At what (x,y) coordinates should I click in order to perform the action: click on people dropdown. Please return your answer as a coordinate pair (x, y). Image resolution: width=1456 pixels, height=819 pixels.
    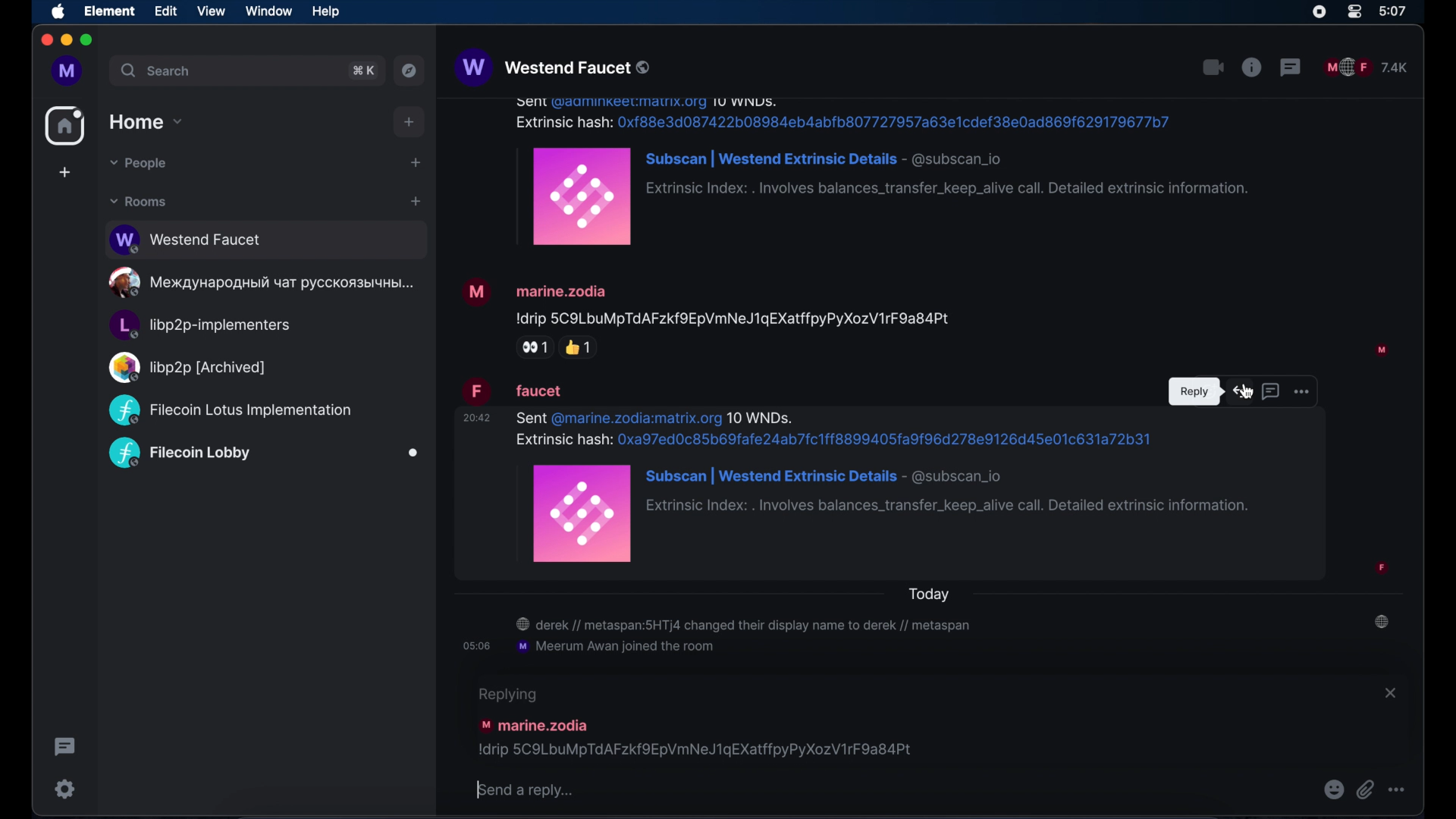
    Looking at the image, I should click on (139, 164).